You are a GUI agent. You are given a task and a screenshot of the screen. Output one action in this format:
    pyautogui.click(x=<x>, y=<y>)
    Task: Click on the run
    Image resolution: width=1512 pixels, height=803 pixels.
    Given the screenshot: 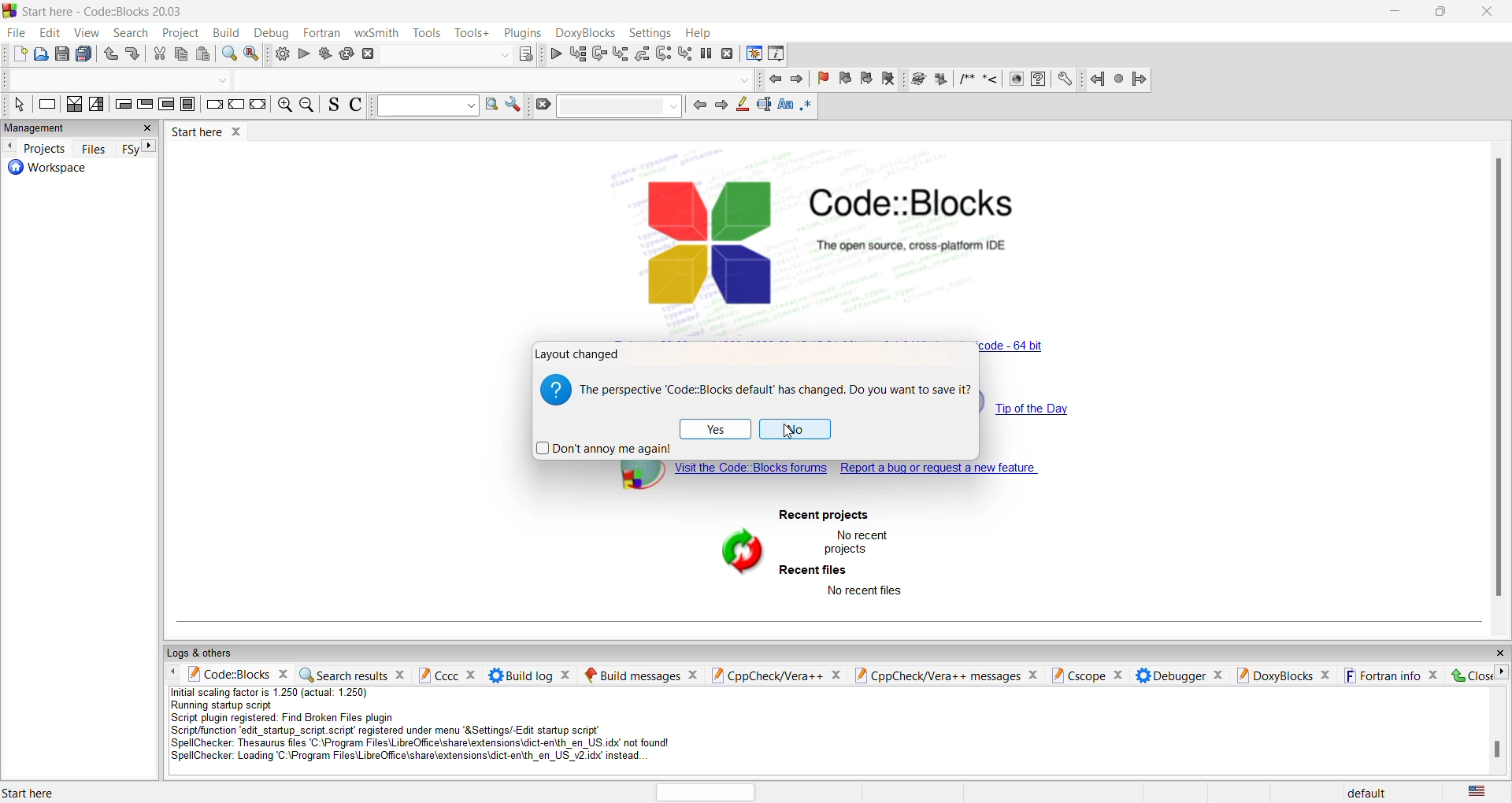 What is the action you would take?
    pyautogui.click(x=303, y=54)
    